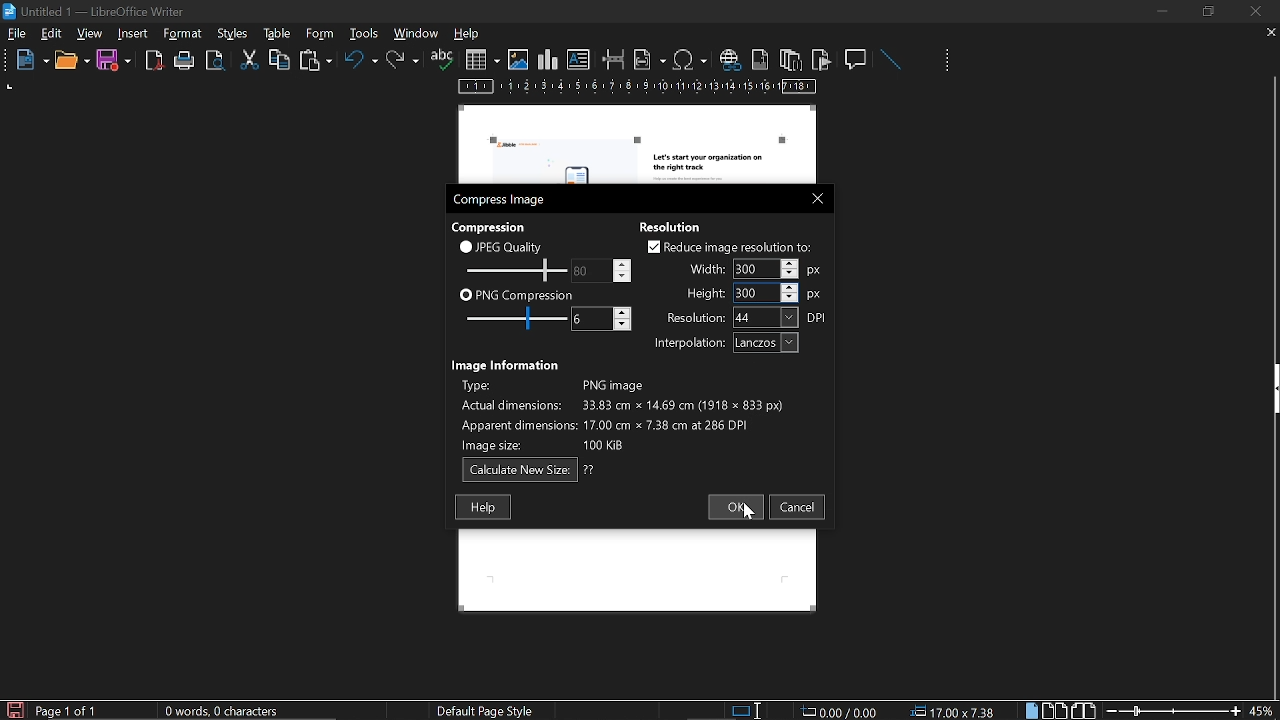 The height and width of the screenshot is (720, 1280). Describe the element at coordinates (97, 10) in the screenshot. I see `current window` at that location.